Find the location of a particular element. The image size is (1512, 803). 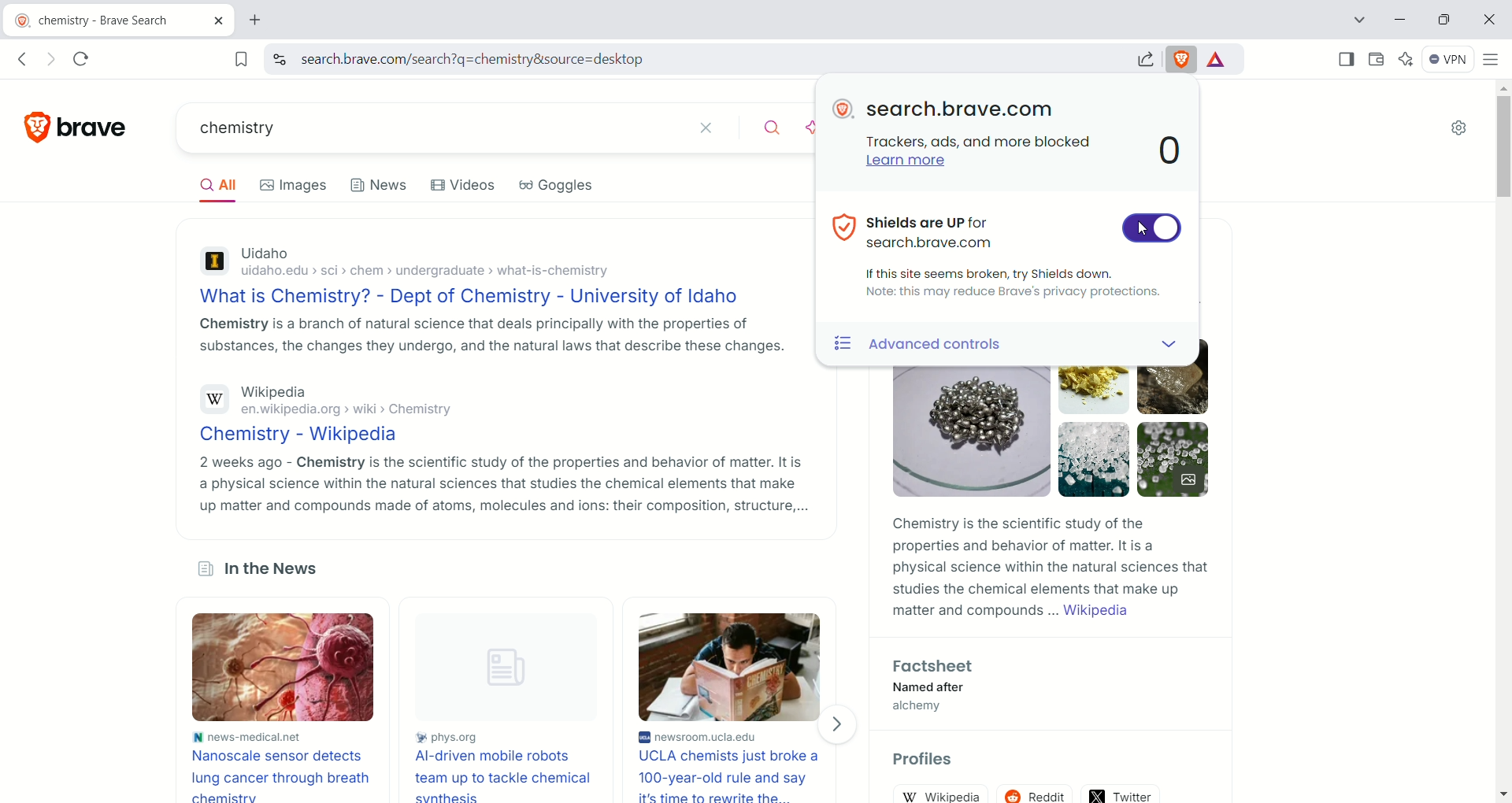

Uidaho: uidaho.edu > sci > chem > undergraduate > what-is-chemistry is located at coordinates (489, 264).